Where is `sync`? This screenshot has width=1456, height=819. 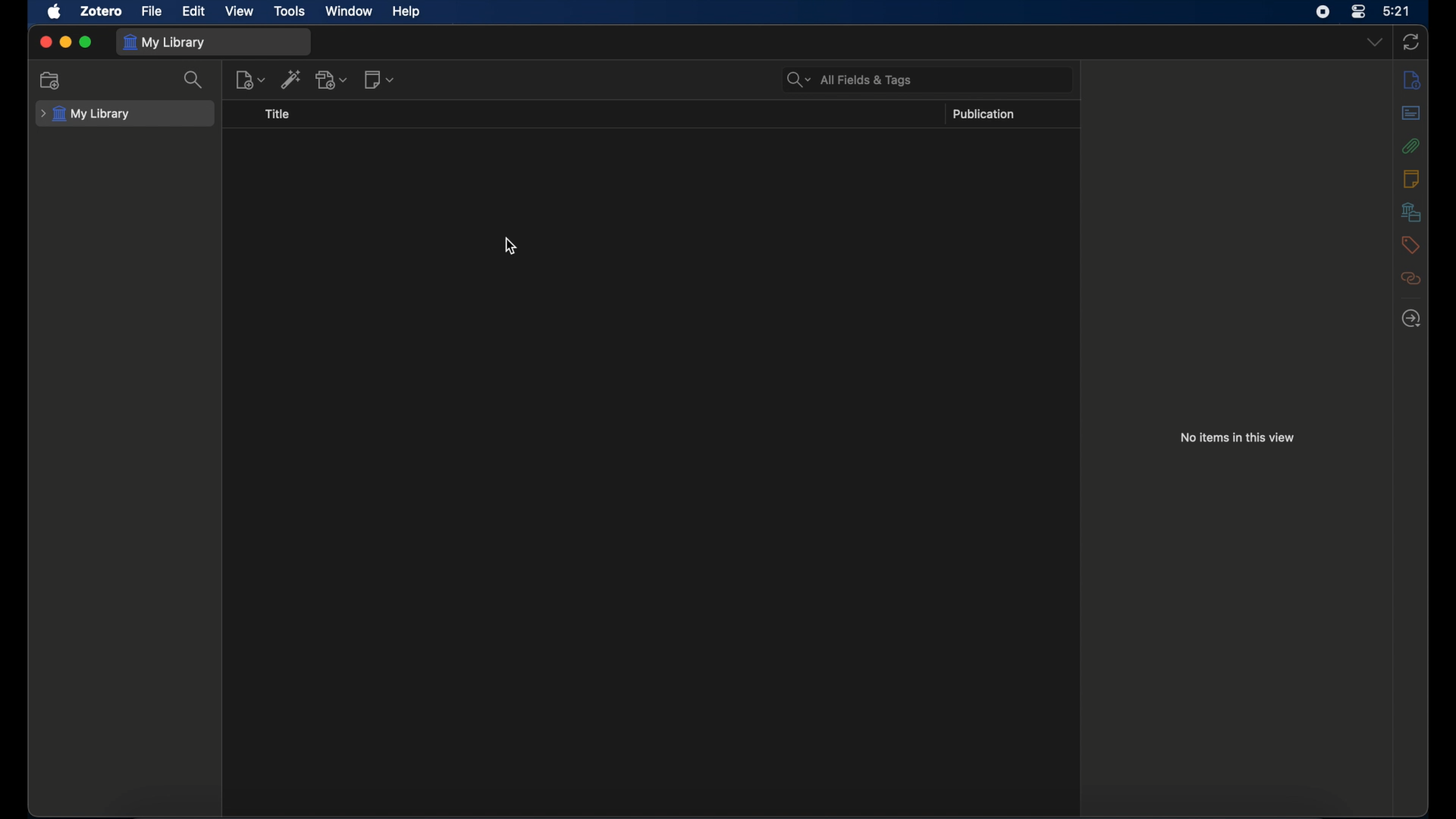 sync is located at coordinates (1410, 42).